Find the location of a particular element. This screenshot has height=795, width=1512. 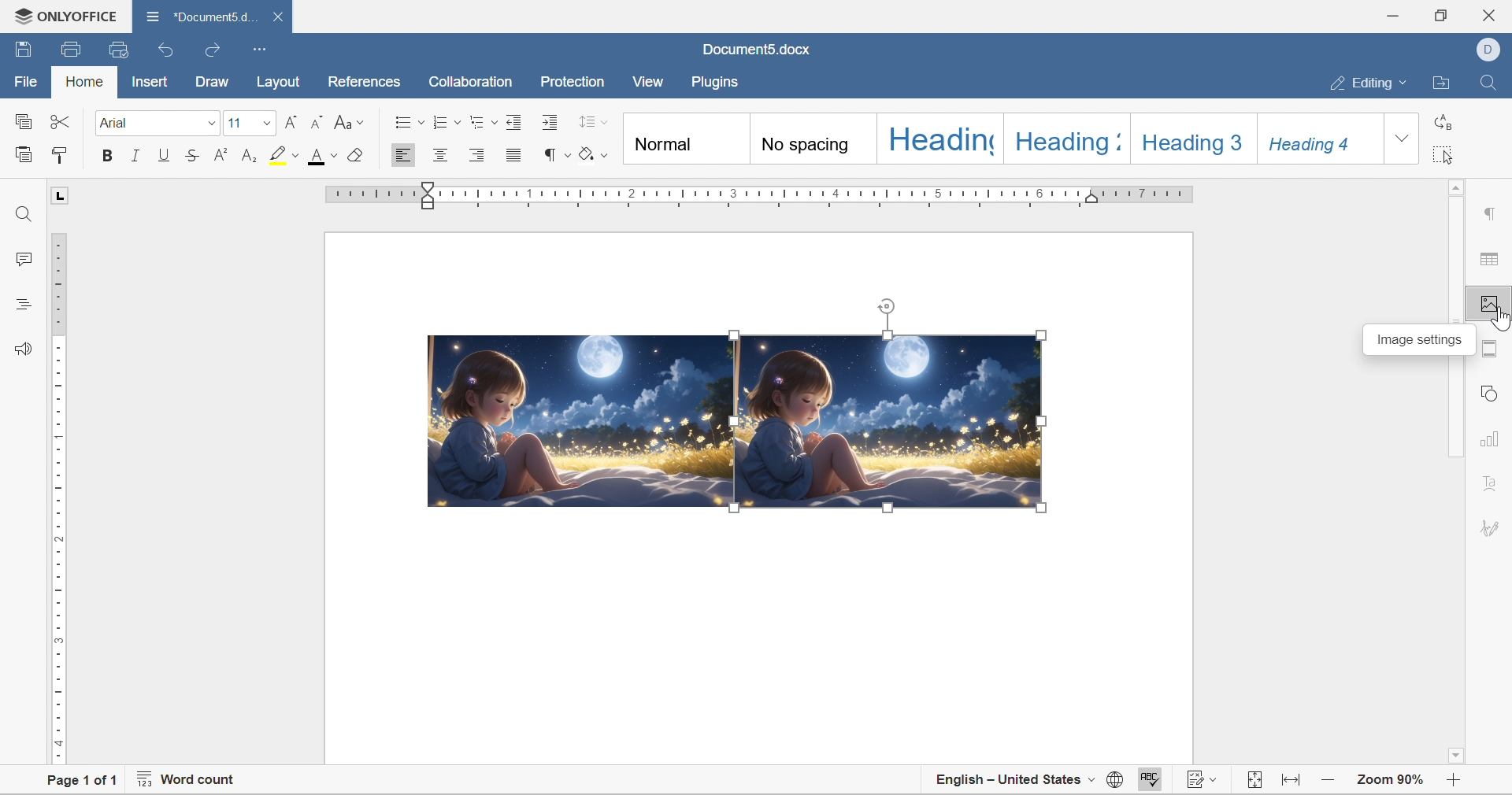

english - united states is located at coordinates (1014, 779).